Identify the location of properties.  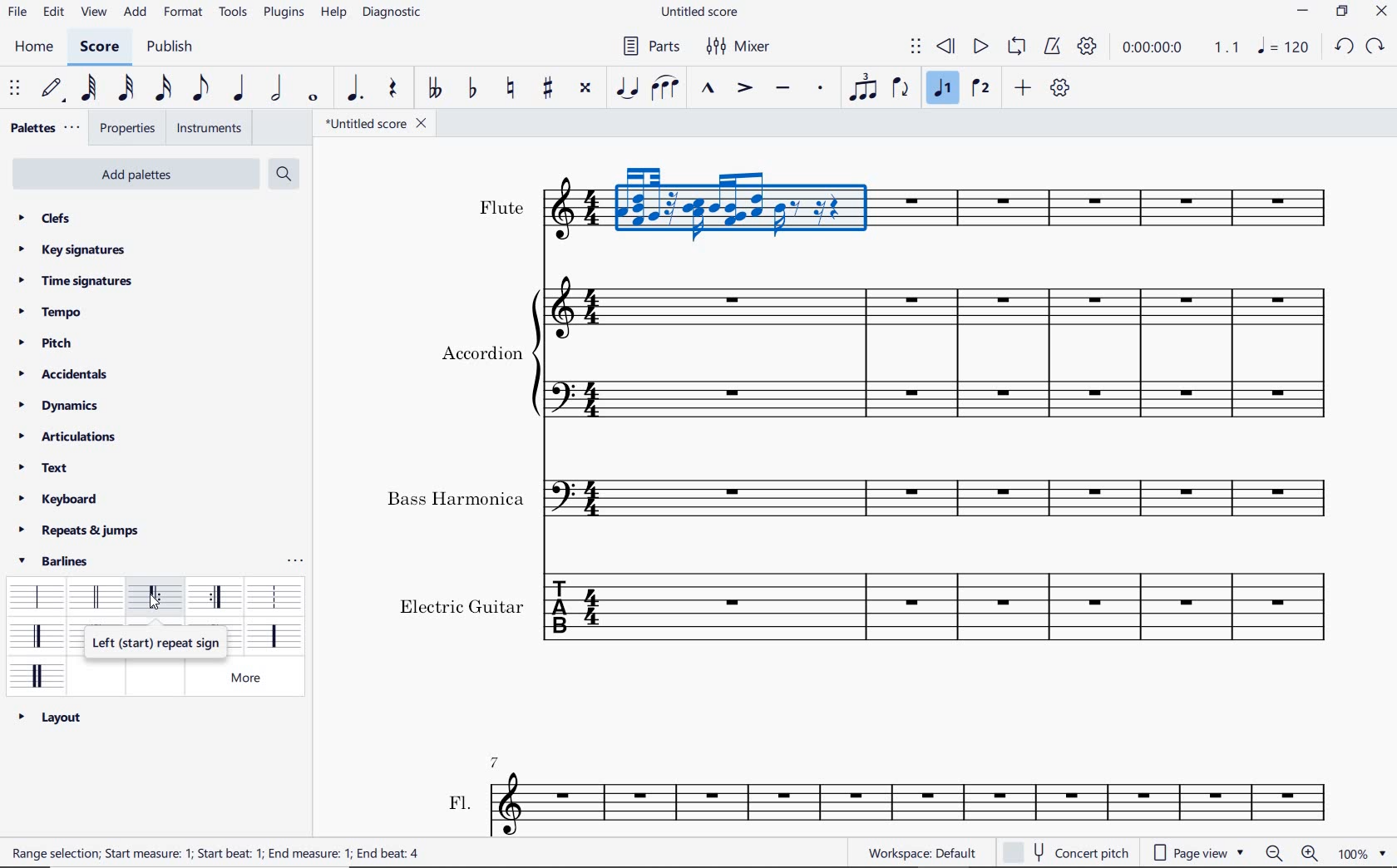
(129, 130).